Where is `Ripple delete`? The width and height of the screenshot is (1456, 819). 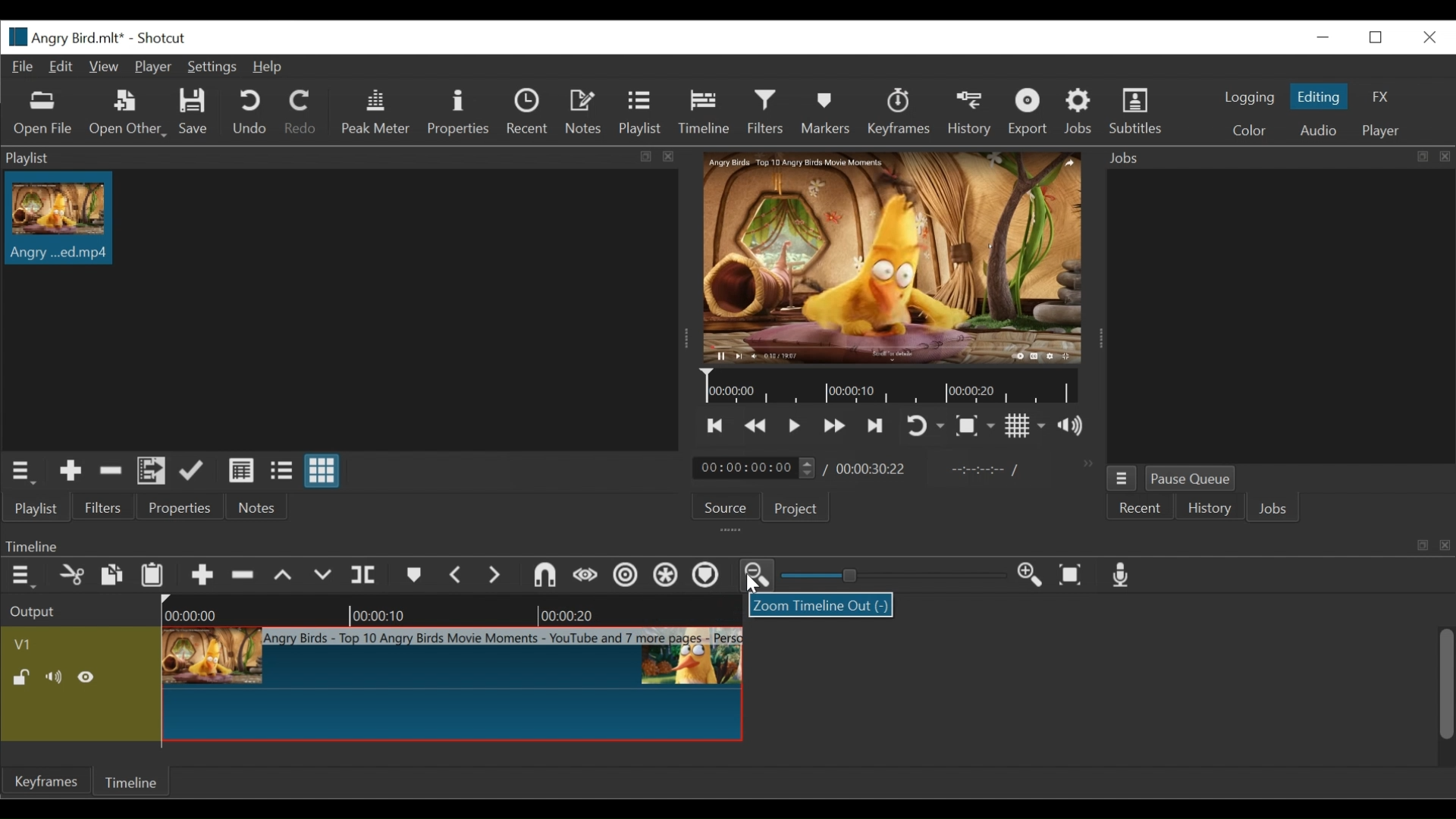
Ripple delete is located at coordinates (243, 575).